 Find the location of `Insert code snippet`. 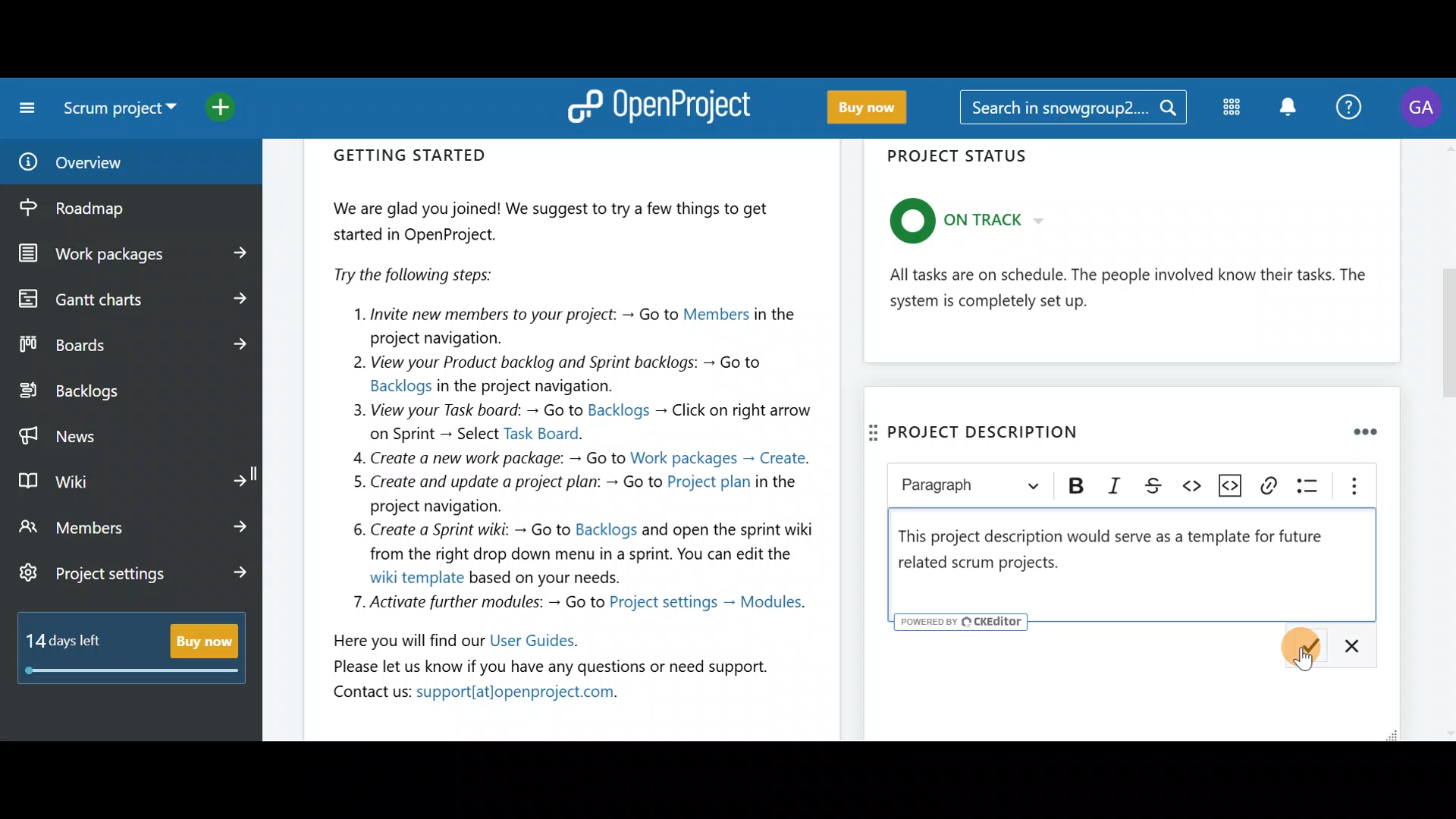

Insert code snippet is located at coordinates (1229, 484).